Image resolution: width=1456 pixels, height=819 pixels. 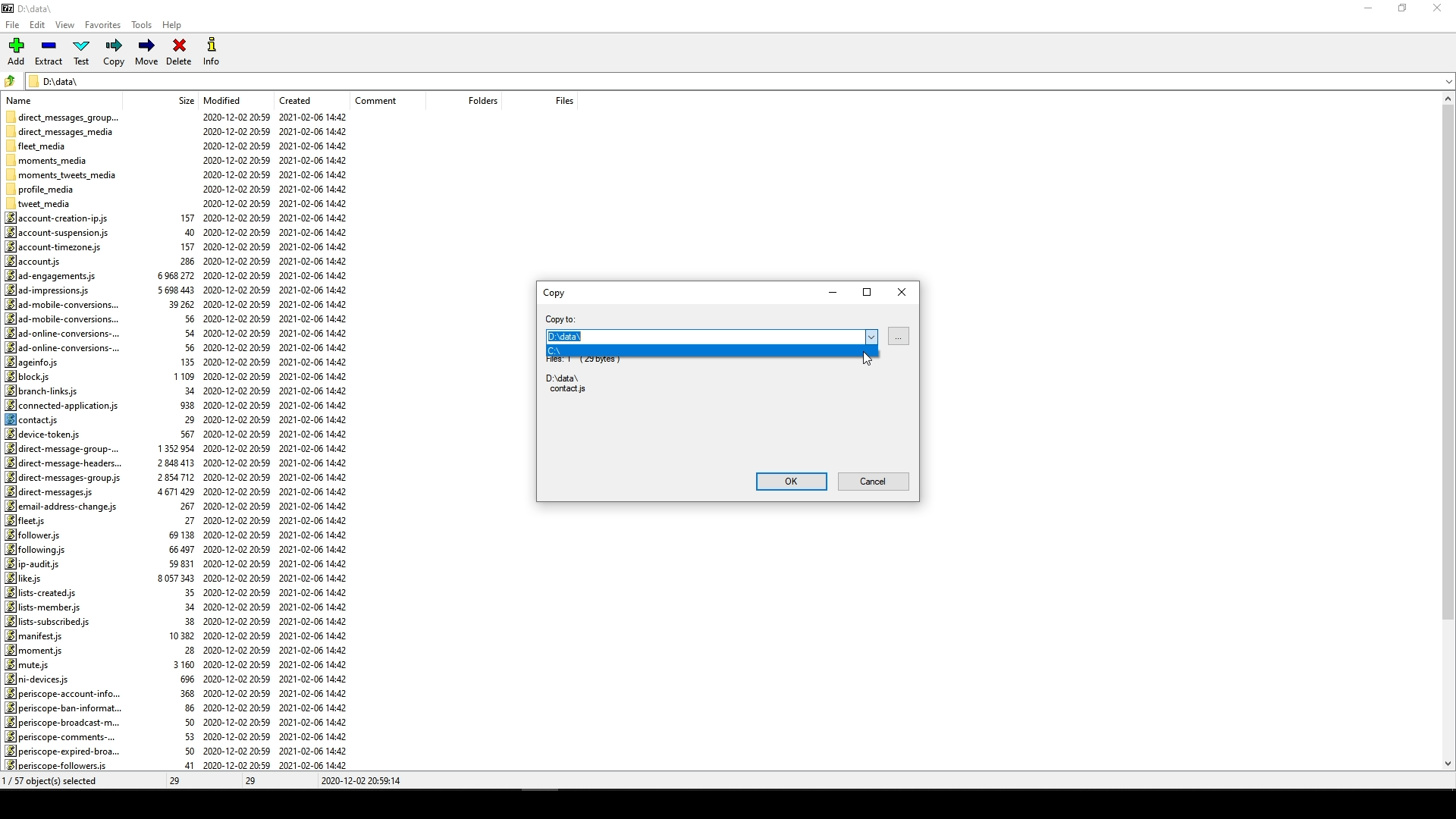 I want to click on Cursor, so click(x=867, y=360).